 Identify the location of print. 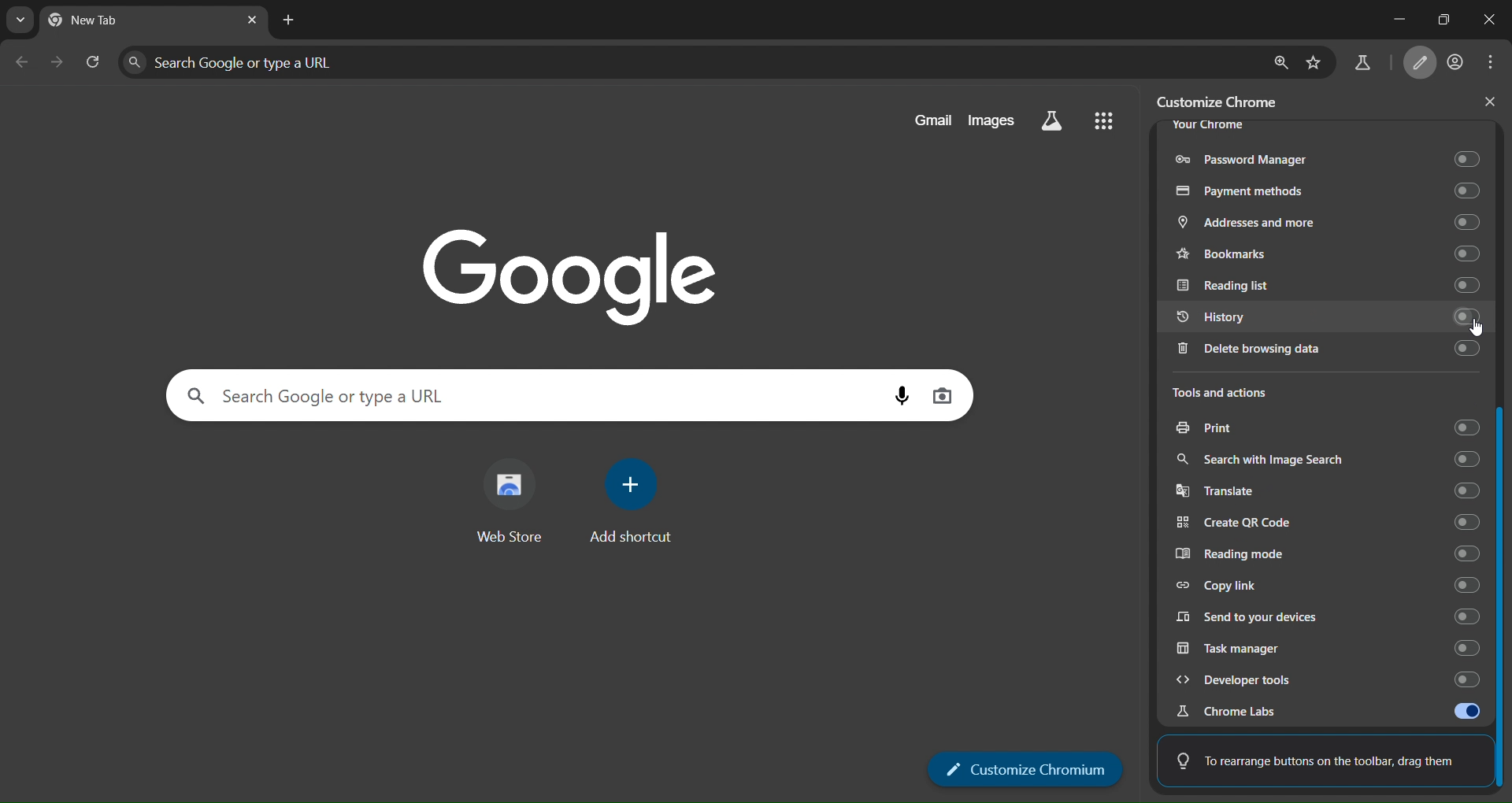
(1326, 430).